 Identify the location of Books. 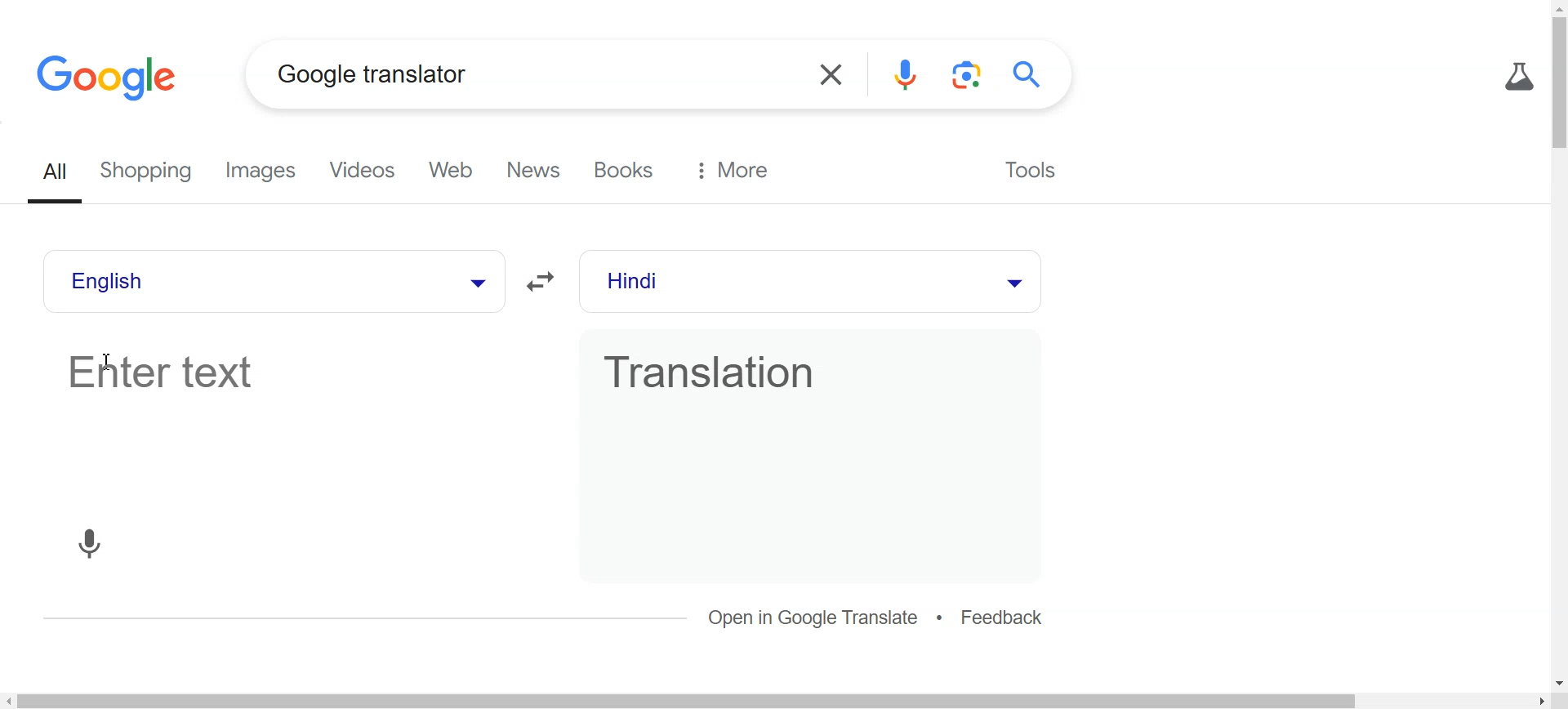
(627, 170).